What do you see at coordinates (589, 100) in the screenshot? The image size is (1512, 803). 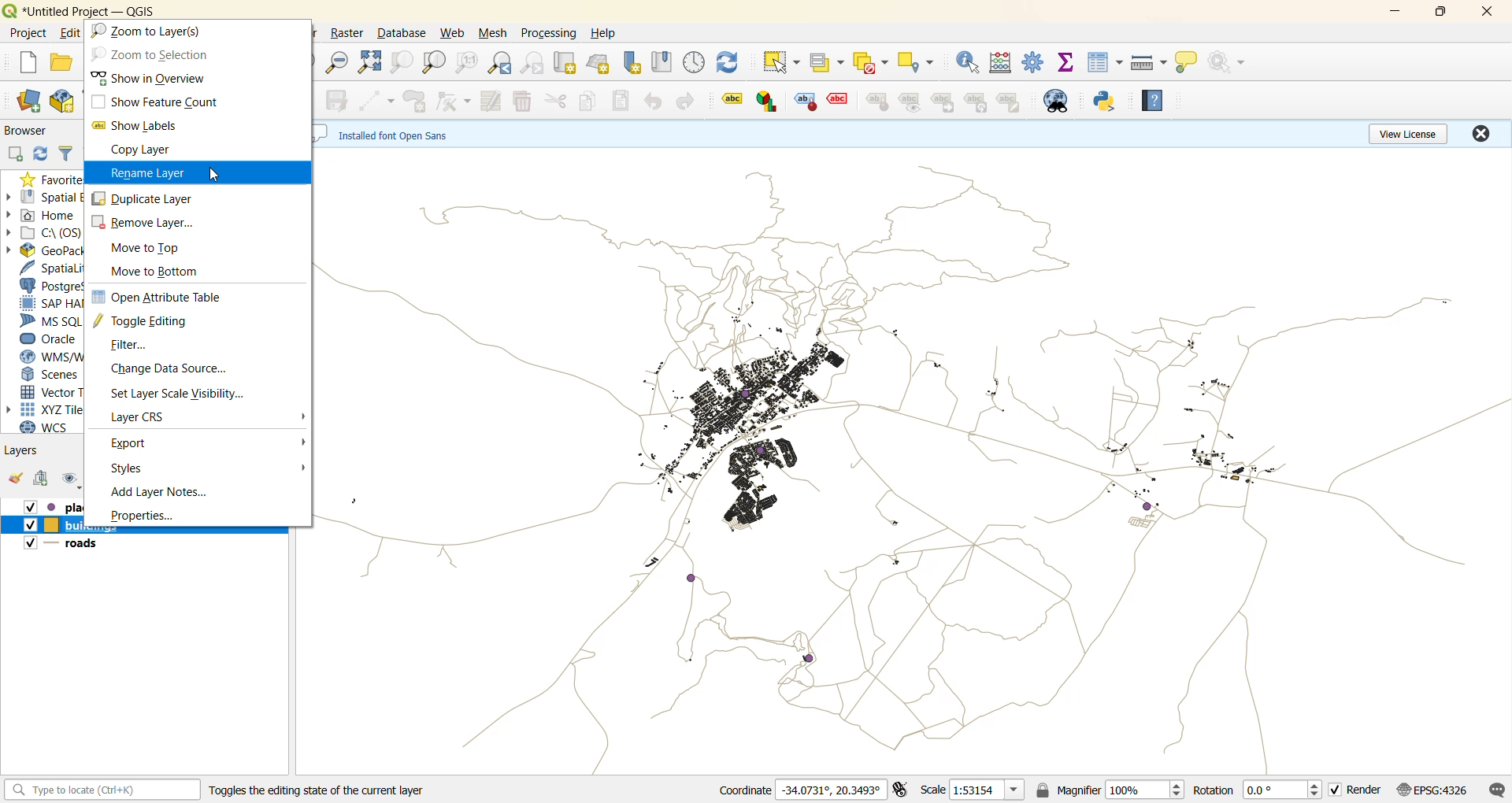 I see `copy` at bounding box center [589, 100].